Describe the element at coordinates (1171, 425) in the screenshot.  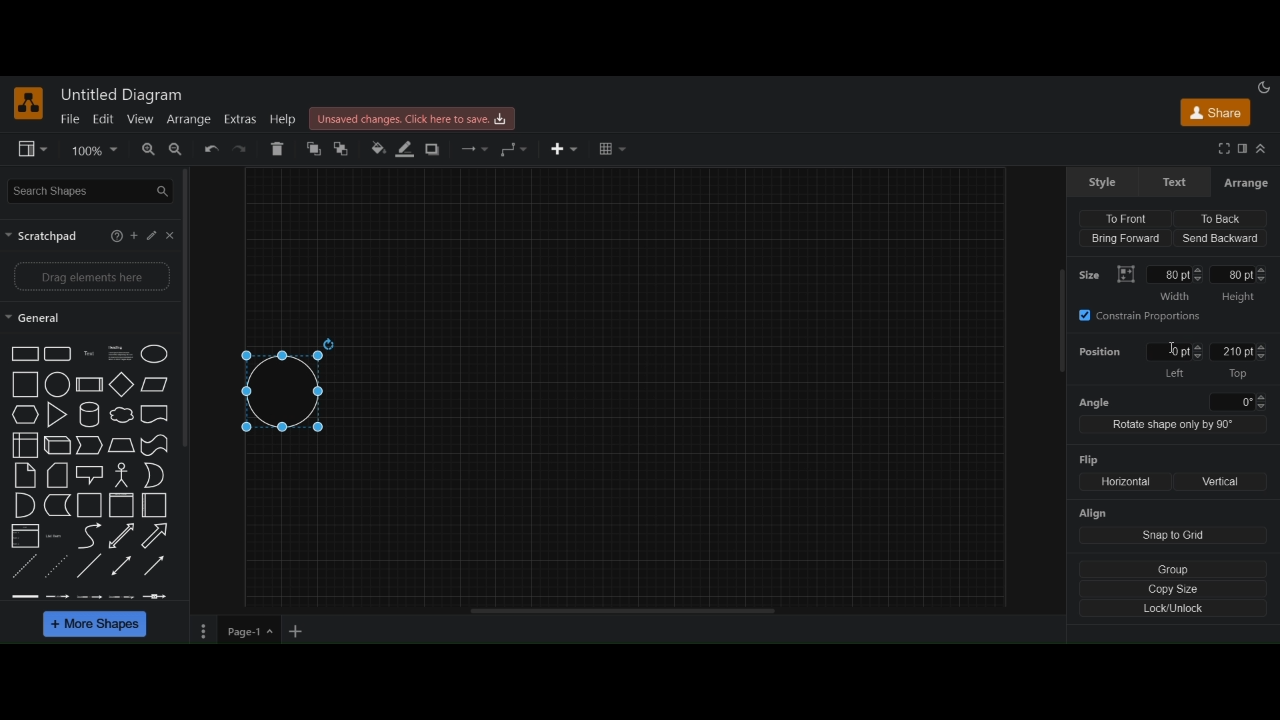
I see `rotate shape only bt 90 degree` at that location.